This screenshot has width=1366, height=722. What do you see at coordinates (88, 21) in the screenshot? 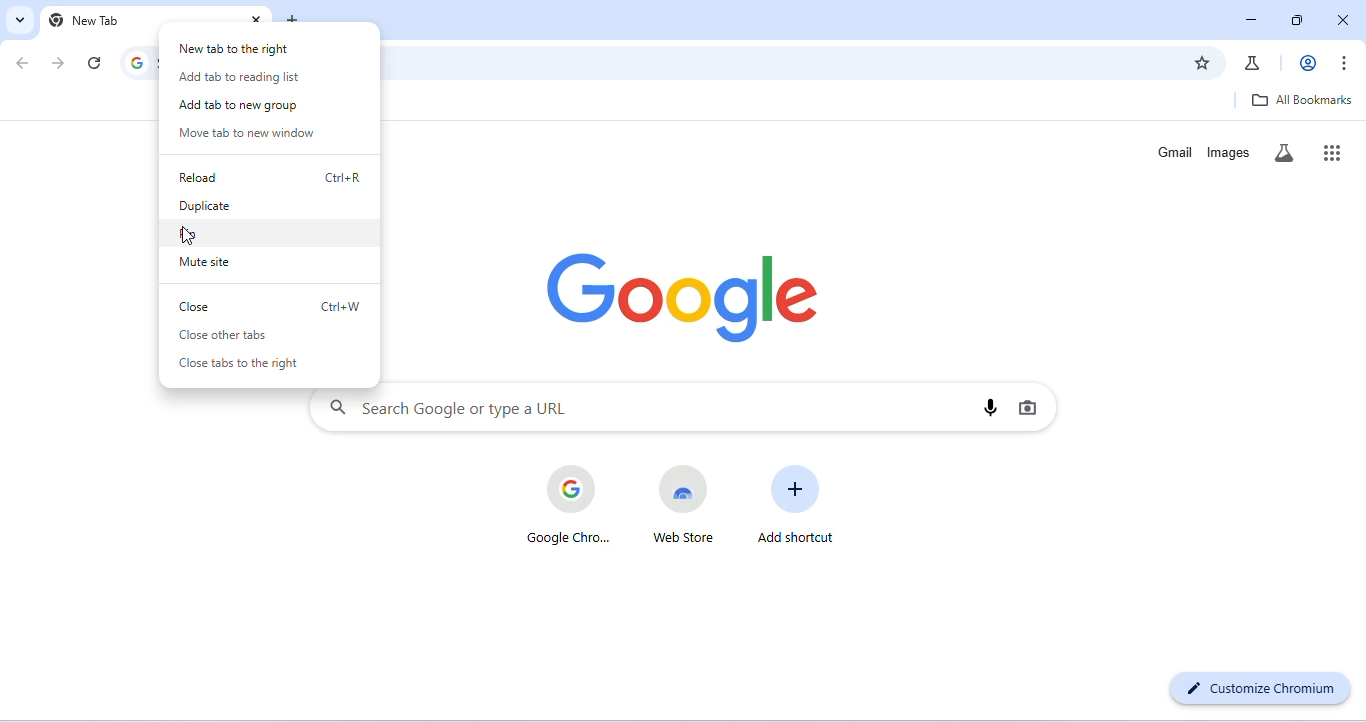
I see `new tab` at bounding box center [88, 21].